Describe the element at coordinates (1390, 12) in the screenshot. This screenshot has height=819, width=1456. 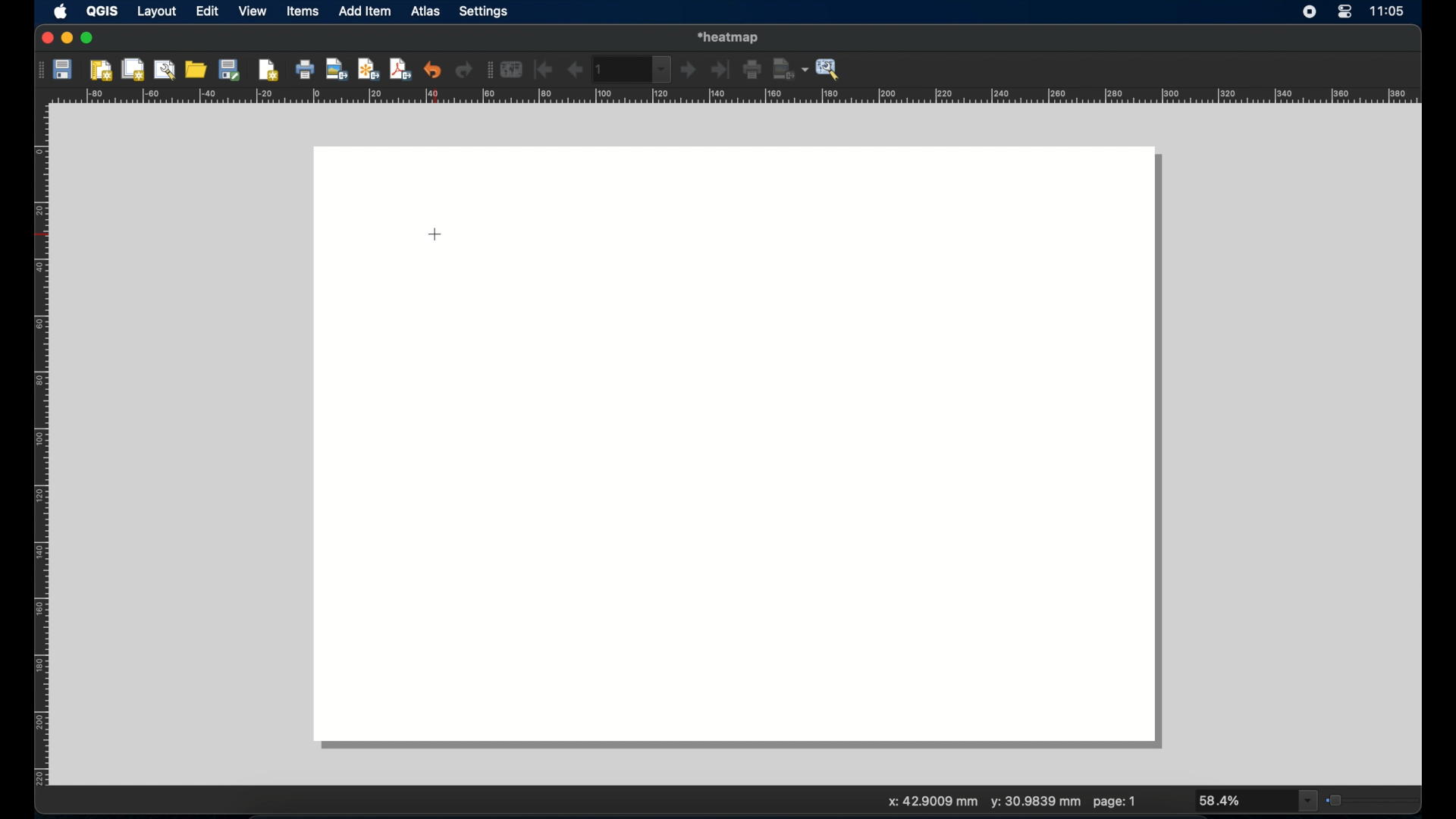
I see `time` at that location.